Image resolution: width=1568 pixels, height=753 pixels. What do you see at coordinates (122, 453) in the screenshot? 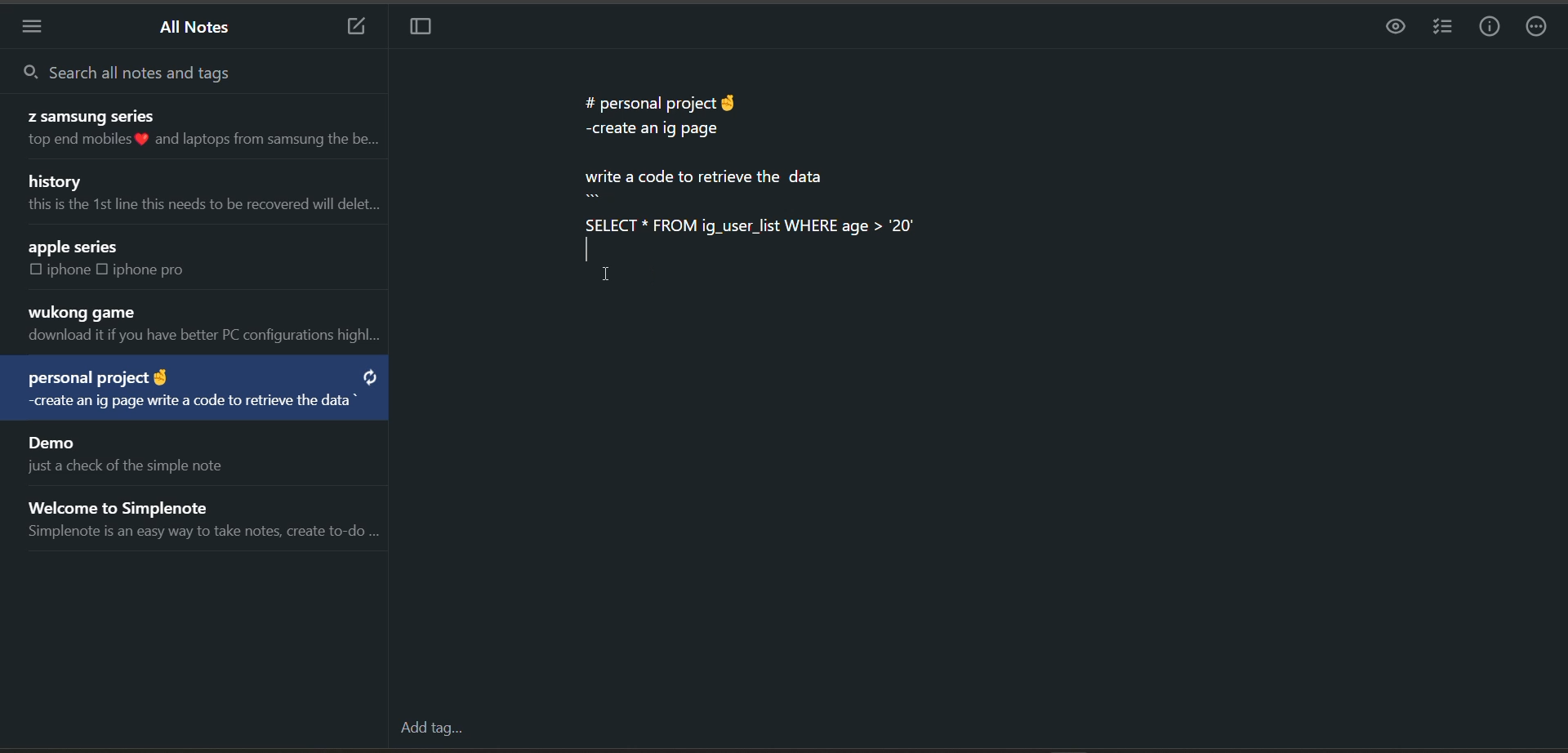
I see `note title  and preview` at bounding box center [122, 453].